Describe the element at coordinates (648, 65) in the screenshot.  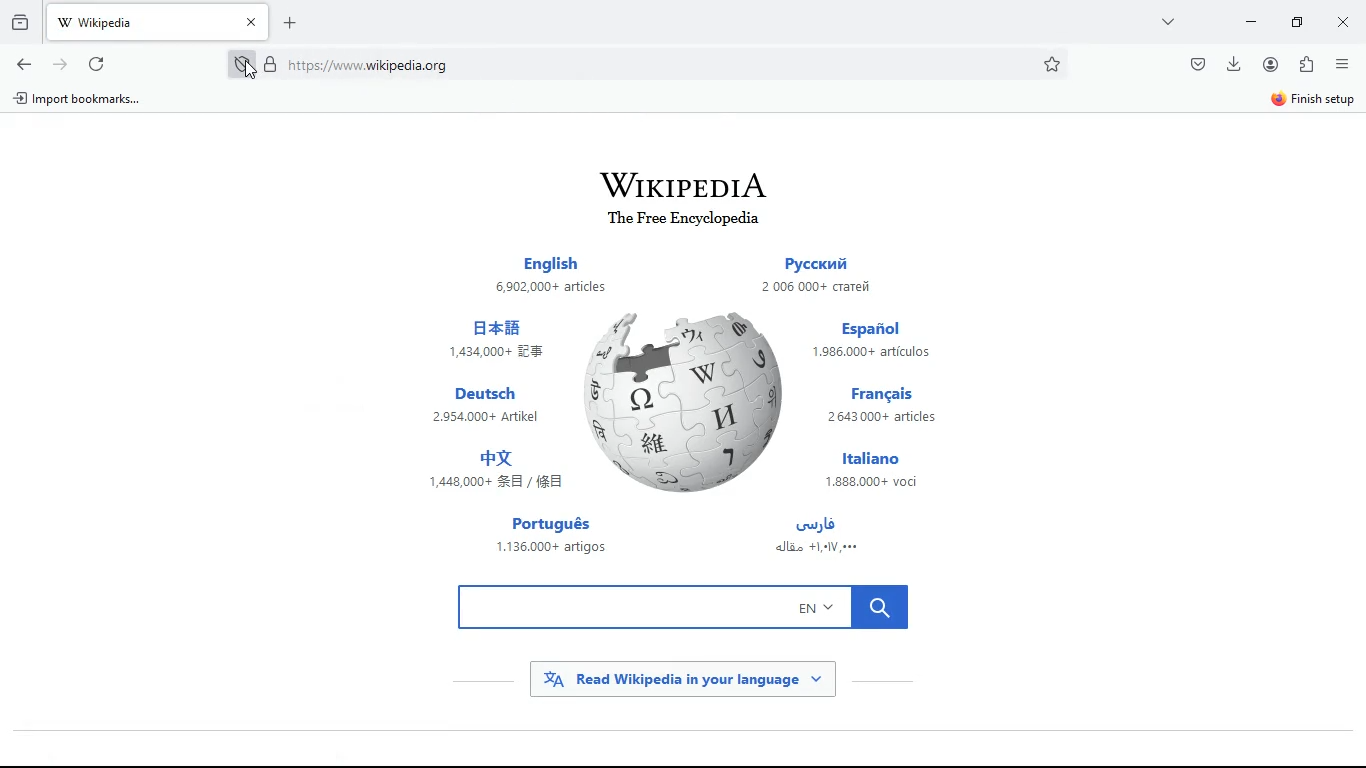
I see `Search bar` at that location.